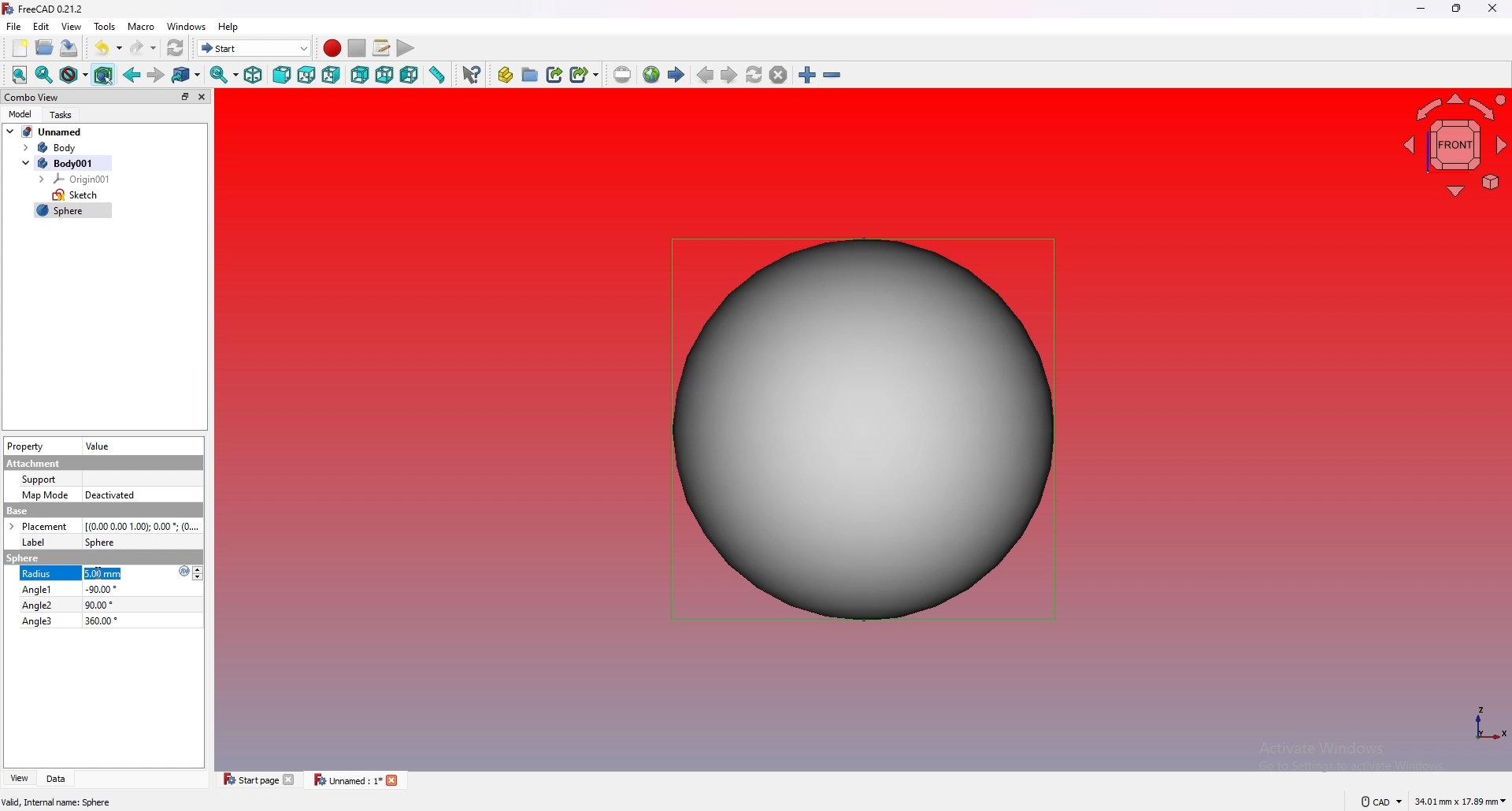 This screenshot has width=1512, height=811. Describe the element at coordinates (754, 74) in the screenshot. I see `refresh webpage` at that location.